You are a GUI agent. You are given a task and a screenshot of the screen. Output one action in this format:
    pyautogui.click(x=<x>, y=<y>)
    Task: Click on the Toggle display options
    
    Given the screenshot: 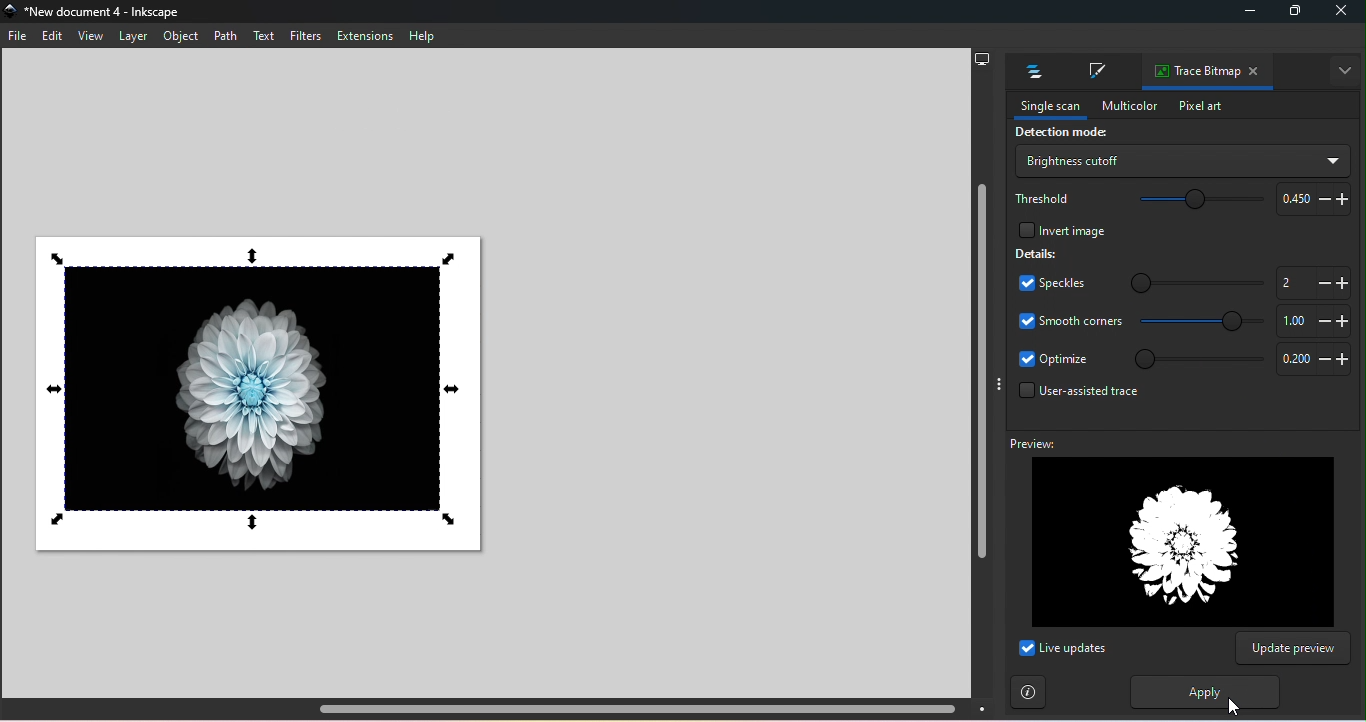 What is the action you would take?
    pyautogui.click(x=1341, y=70)
    